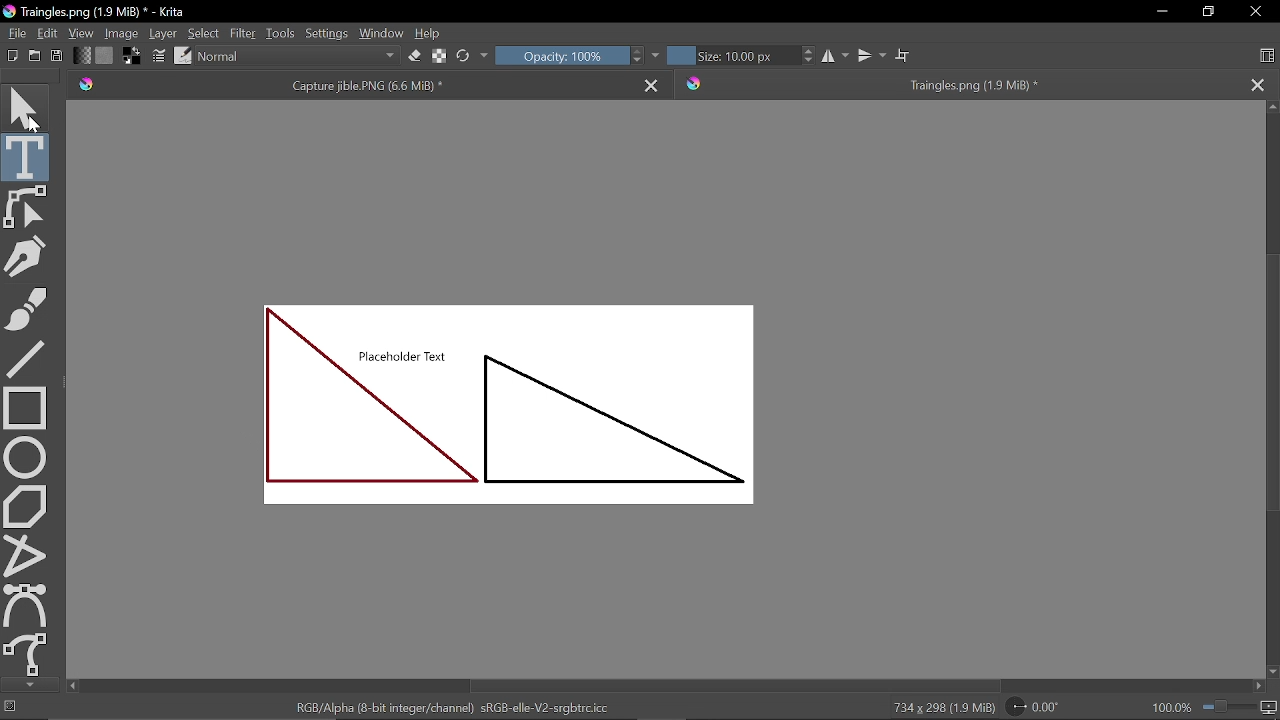  I want to click on New document, so click(10, 56).